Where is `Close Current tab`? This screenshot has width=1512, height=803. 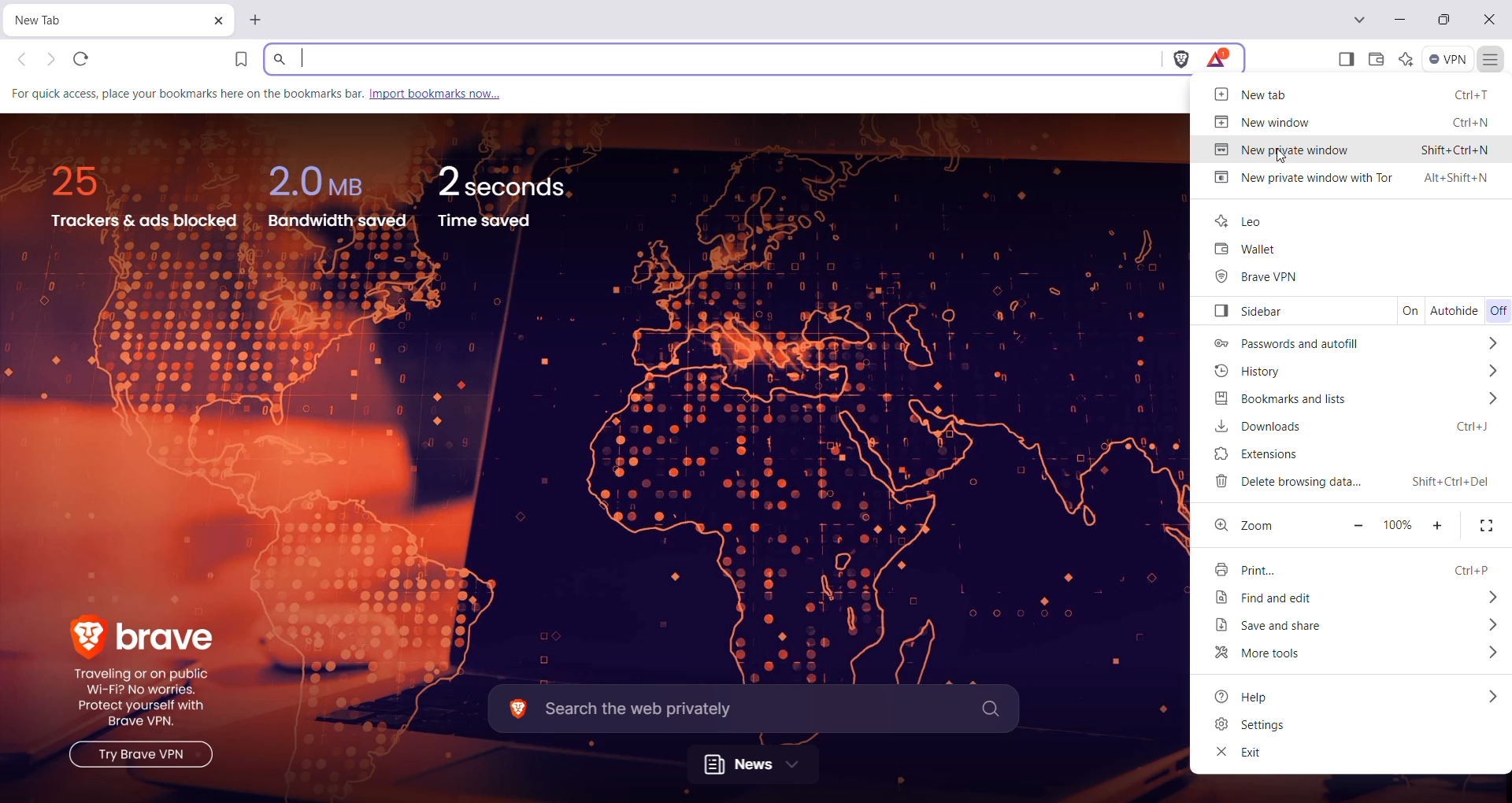
Close Current tab is located at coordinates (218, 21).